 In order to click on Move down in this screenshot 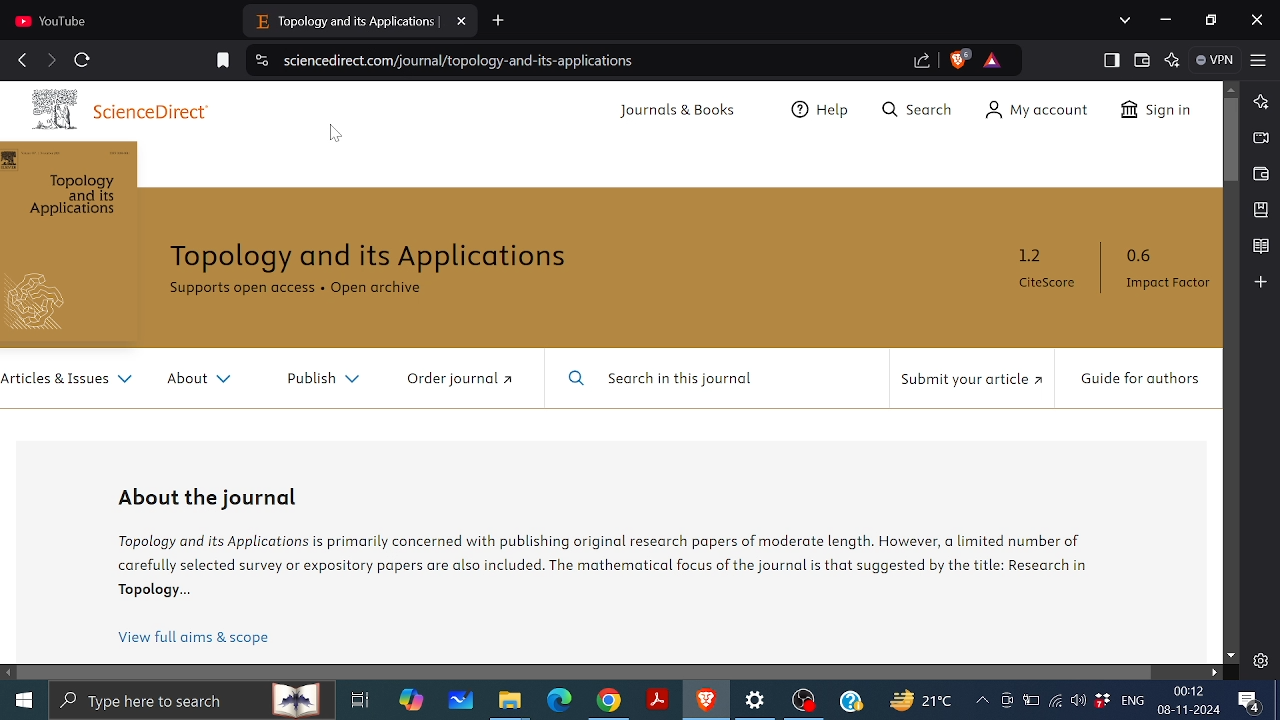, I will do `click(1231, 656)`.